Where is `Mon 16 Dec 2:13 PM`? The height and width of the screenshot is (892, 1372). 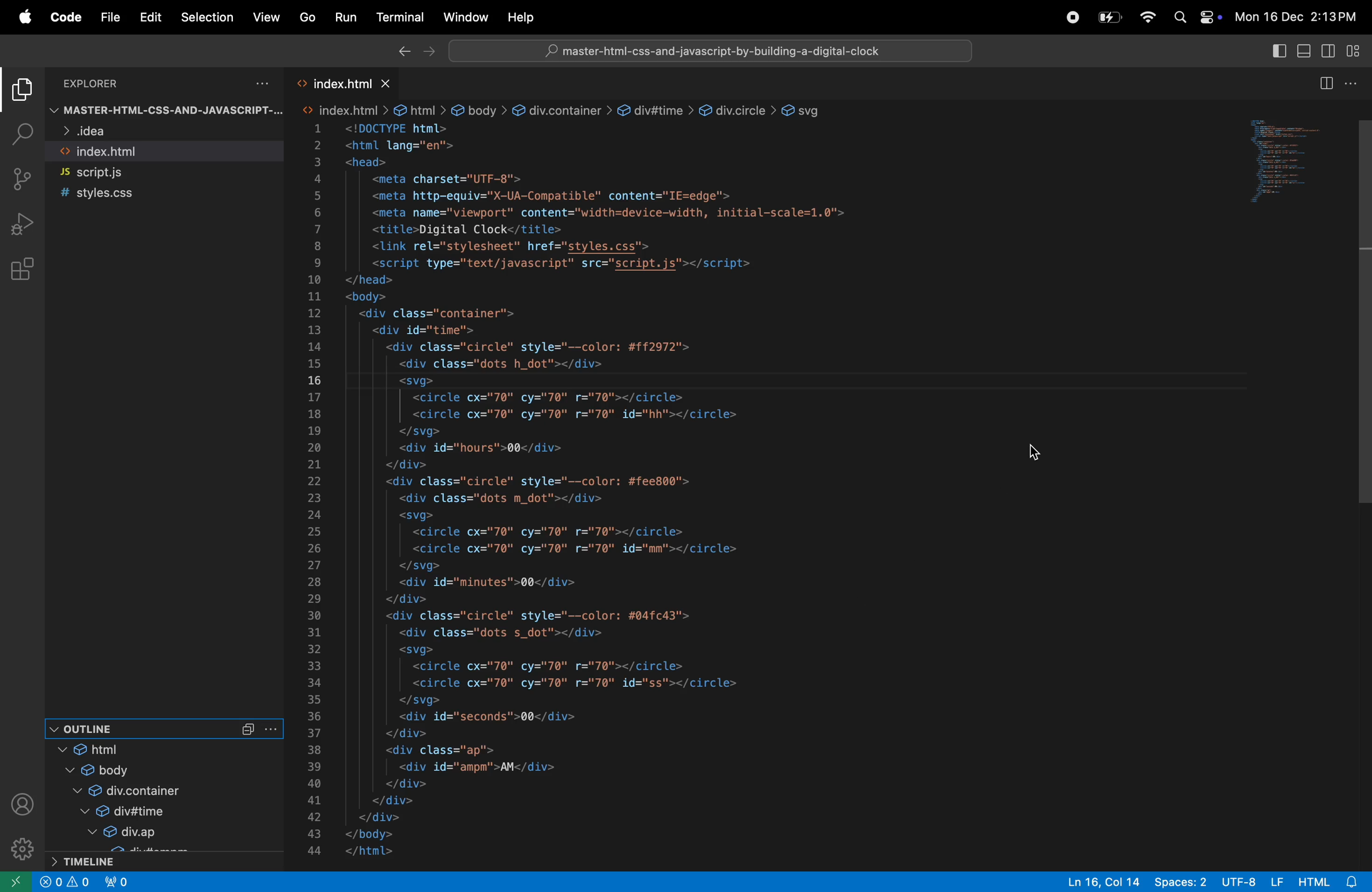
Mon 16 Dec 2:13 PM is located at coordinates (1299, 14).